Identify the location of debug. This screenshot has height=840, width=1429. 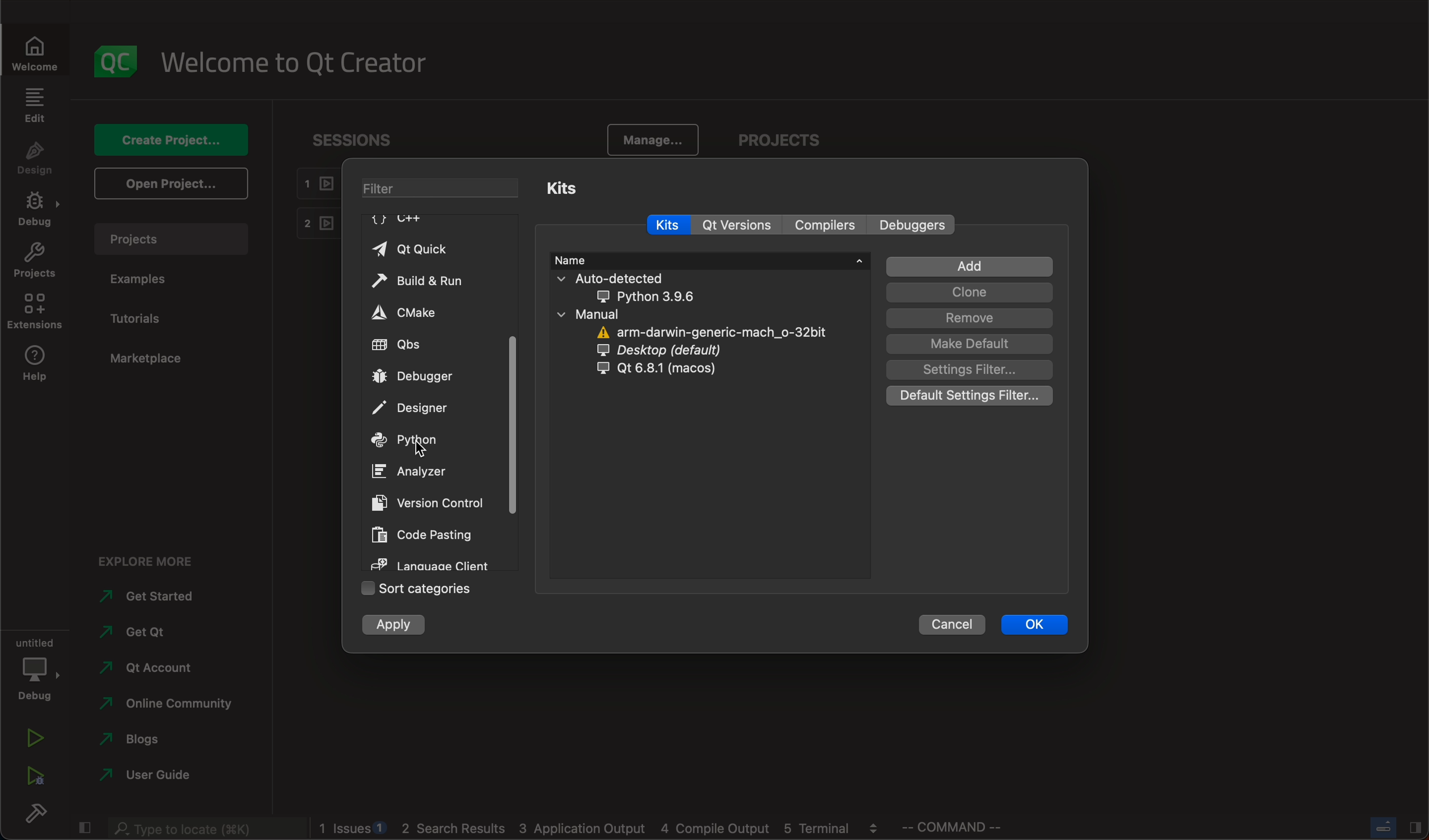
(36, 210).